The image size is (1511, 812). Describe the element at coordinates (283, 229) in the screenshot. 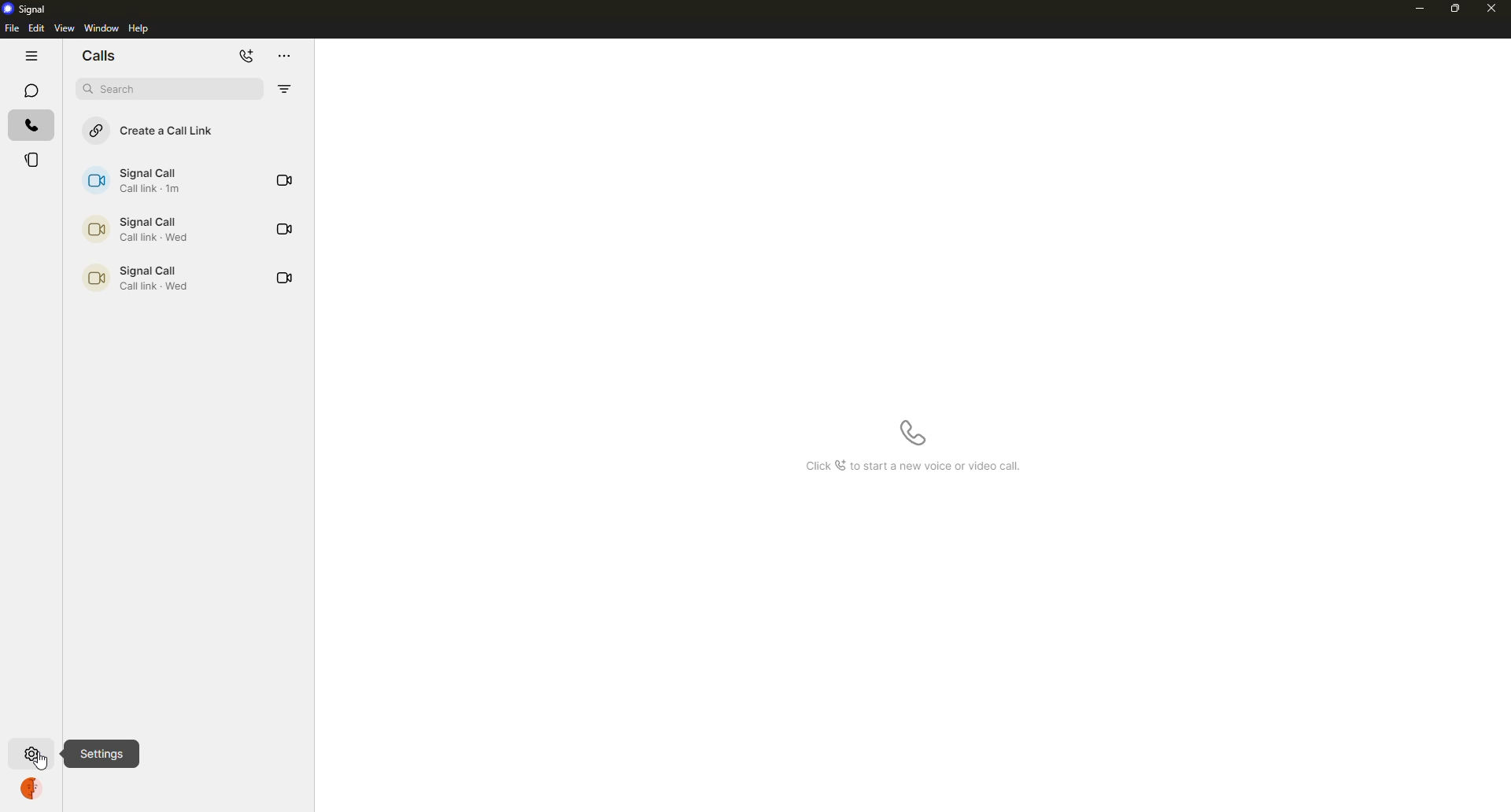

I see `video` at that location.